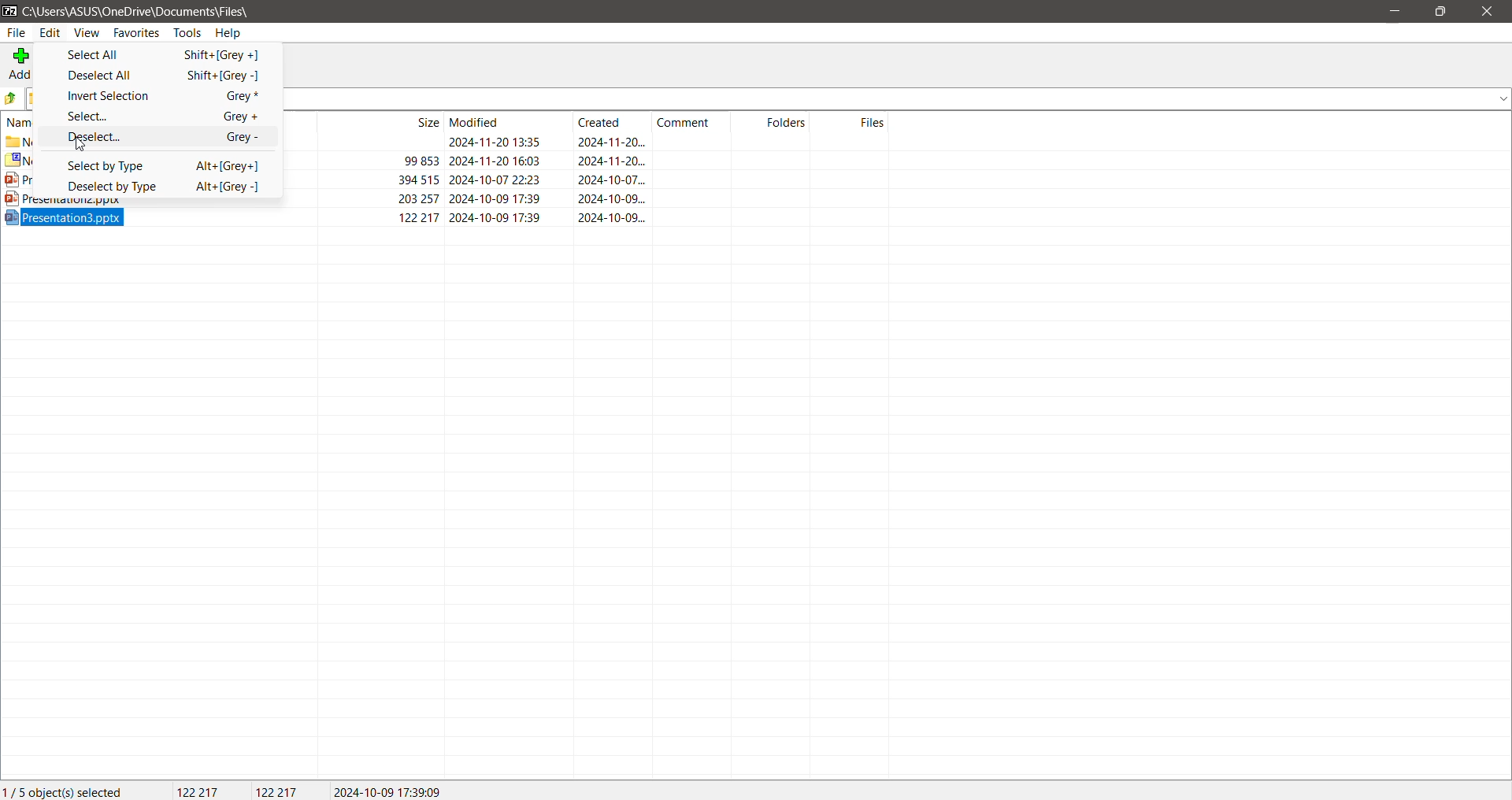 The image size is (1512, 800). What do you see at coordinates (110, 75) in the screenshot?
I see `Deselect All` at bounding box center [110, 75].